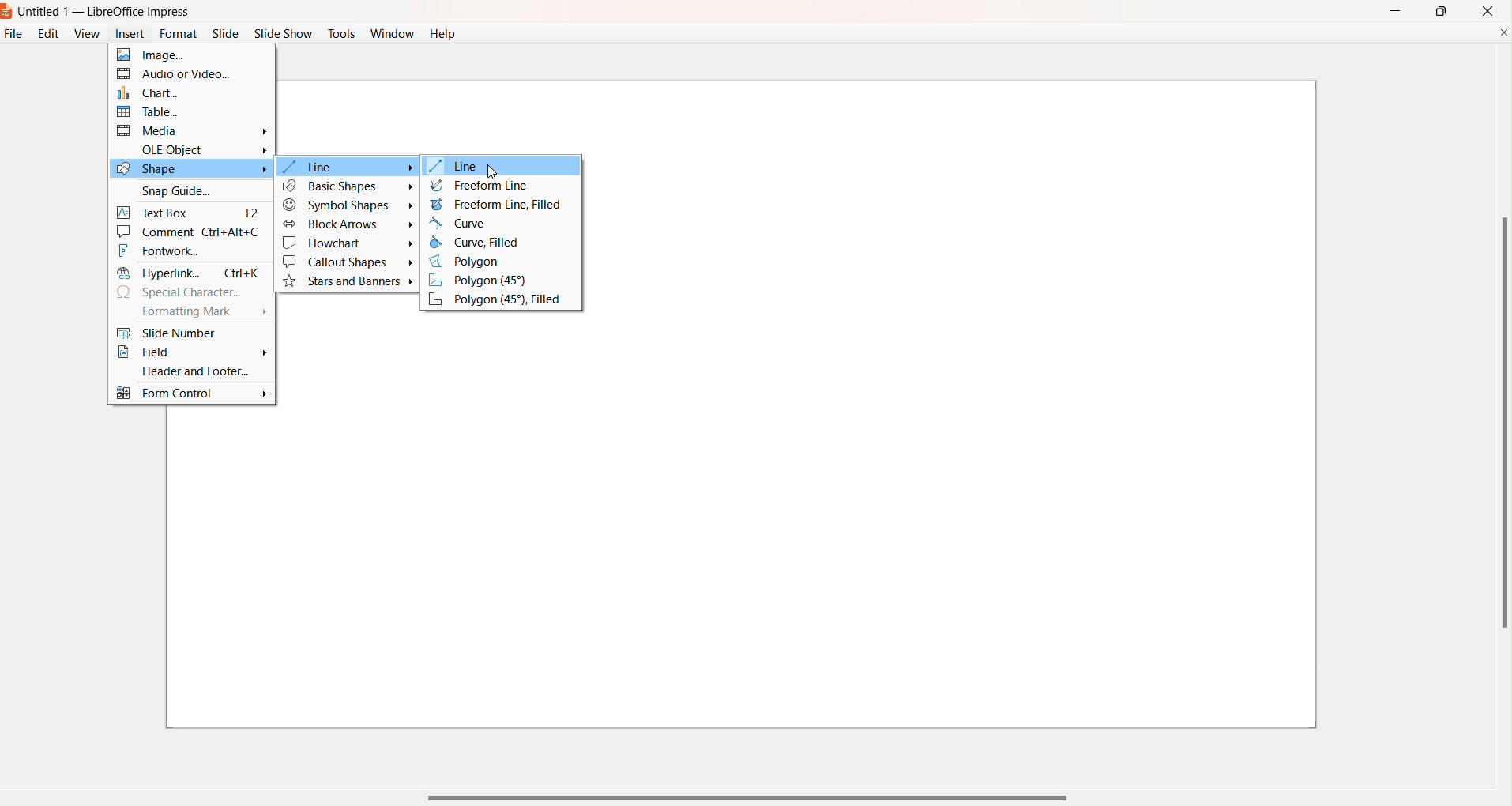 This screenshot has width=1512, height=806. What do you see at coordinates (182, 92) in the screenshot?
I see `Chart` at bounding box center [182, 92].